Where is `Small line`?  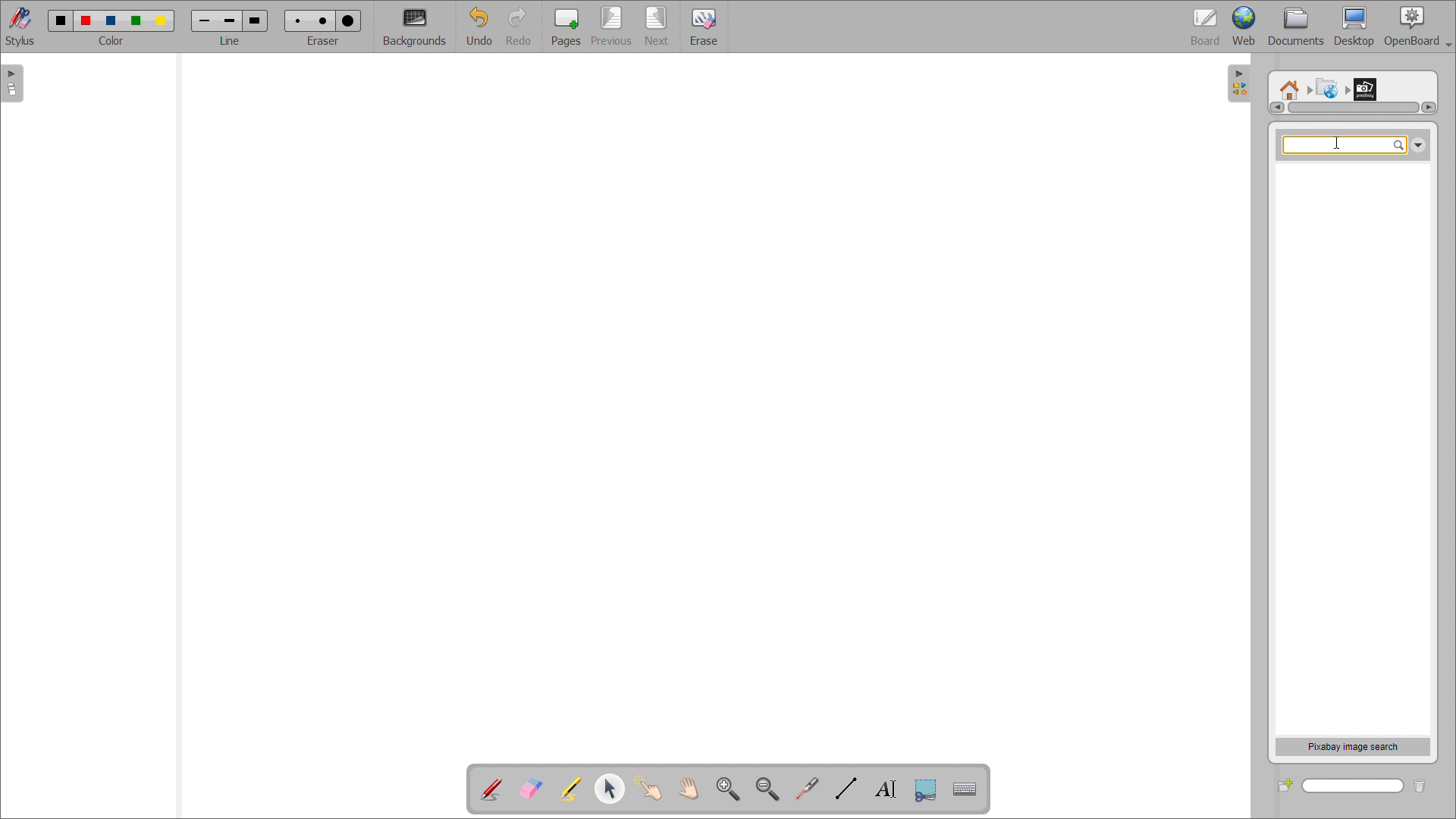
Small line is located at coordinates (205, 19).